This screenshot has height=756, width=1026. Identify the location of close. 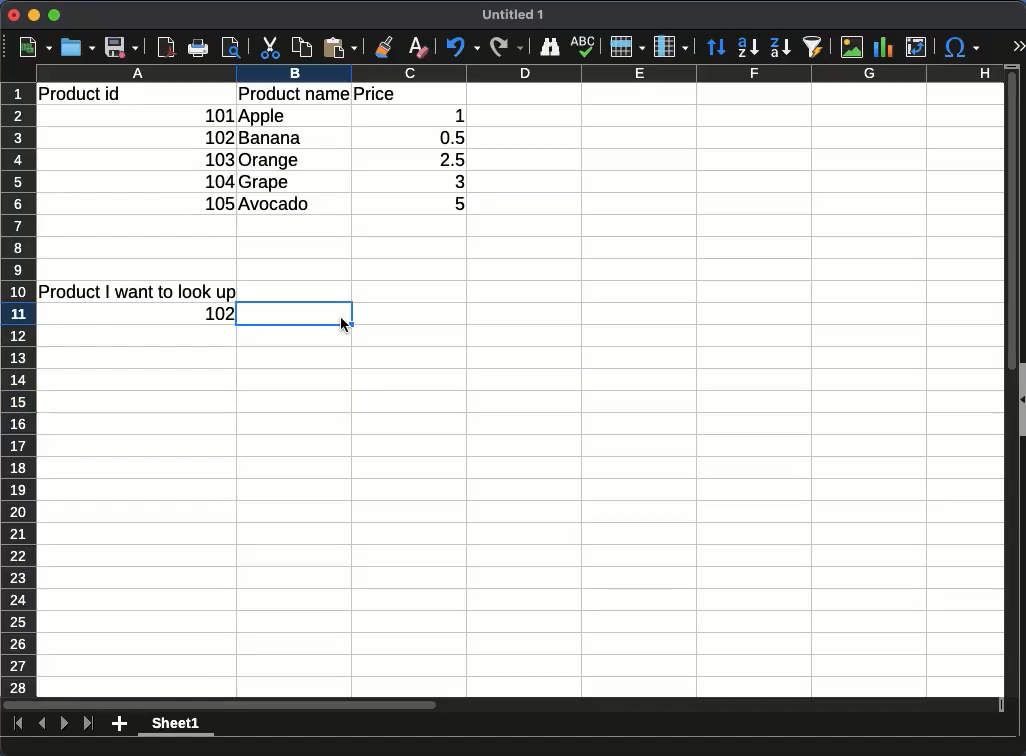
(14, 15).